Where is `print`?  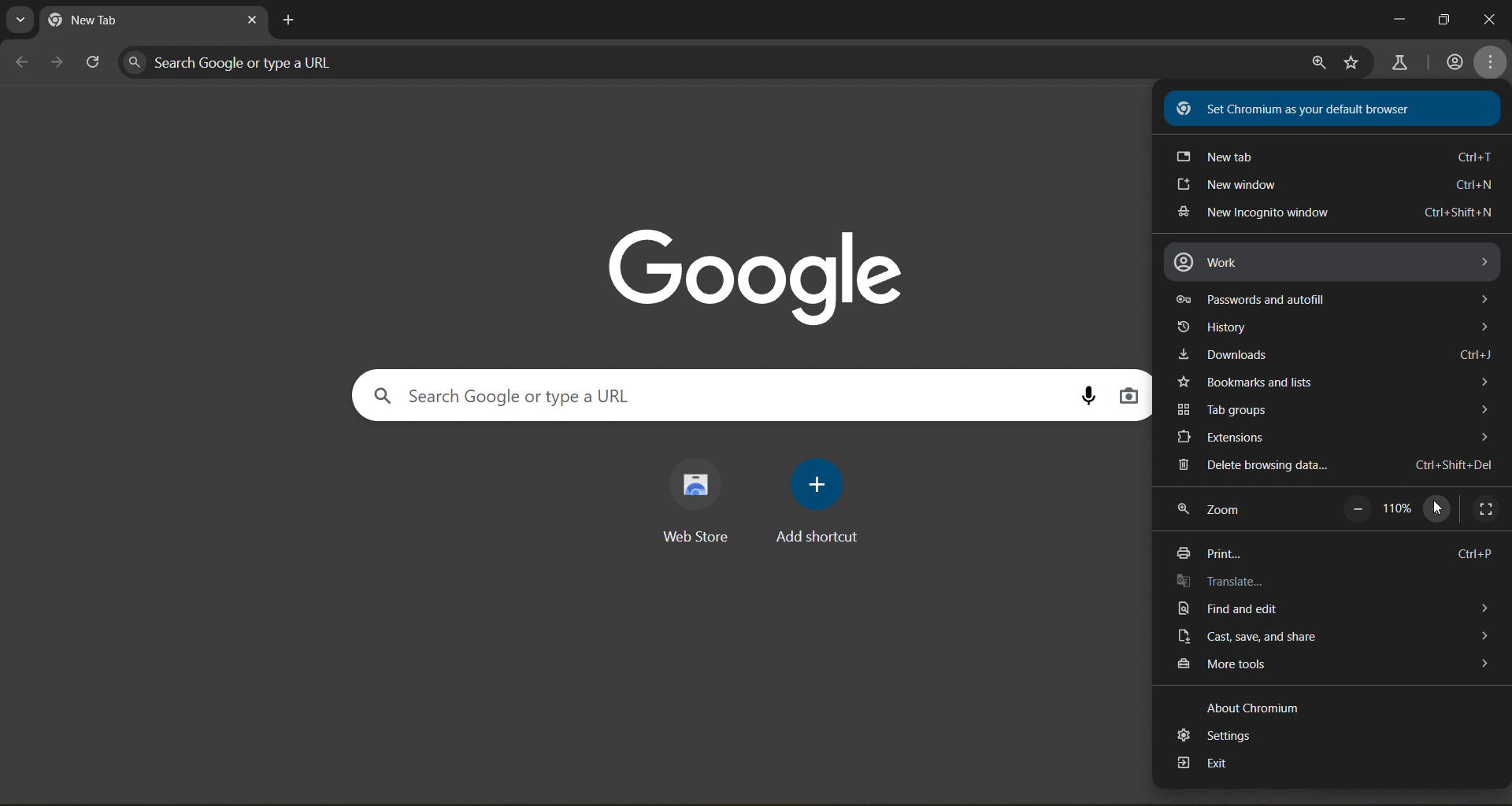
print is located at coordinates (1336, 550).